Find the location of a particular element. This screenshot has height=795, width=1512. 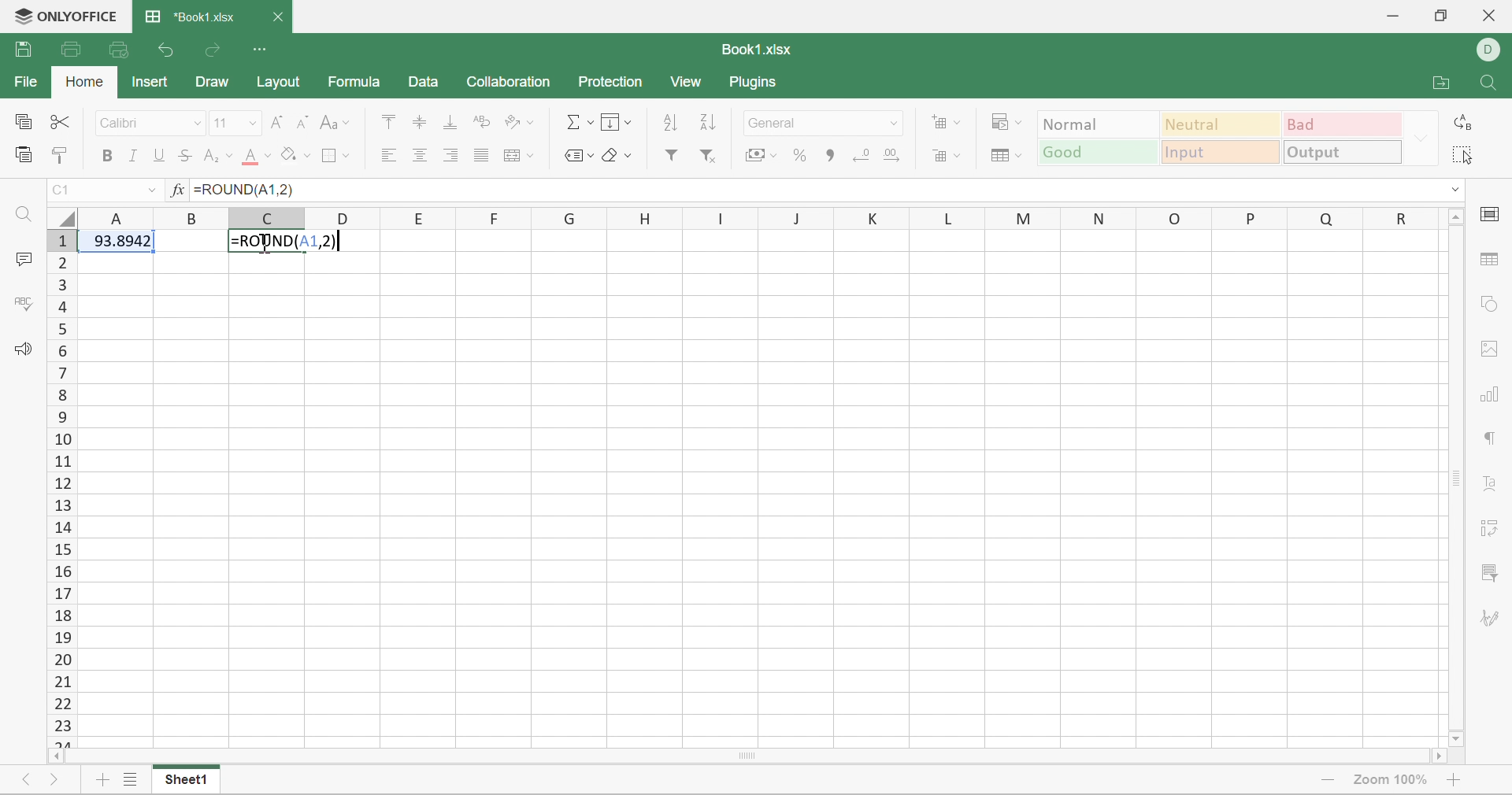

C1 is located at coordinates (65, 188).